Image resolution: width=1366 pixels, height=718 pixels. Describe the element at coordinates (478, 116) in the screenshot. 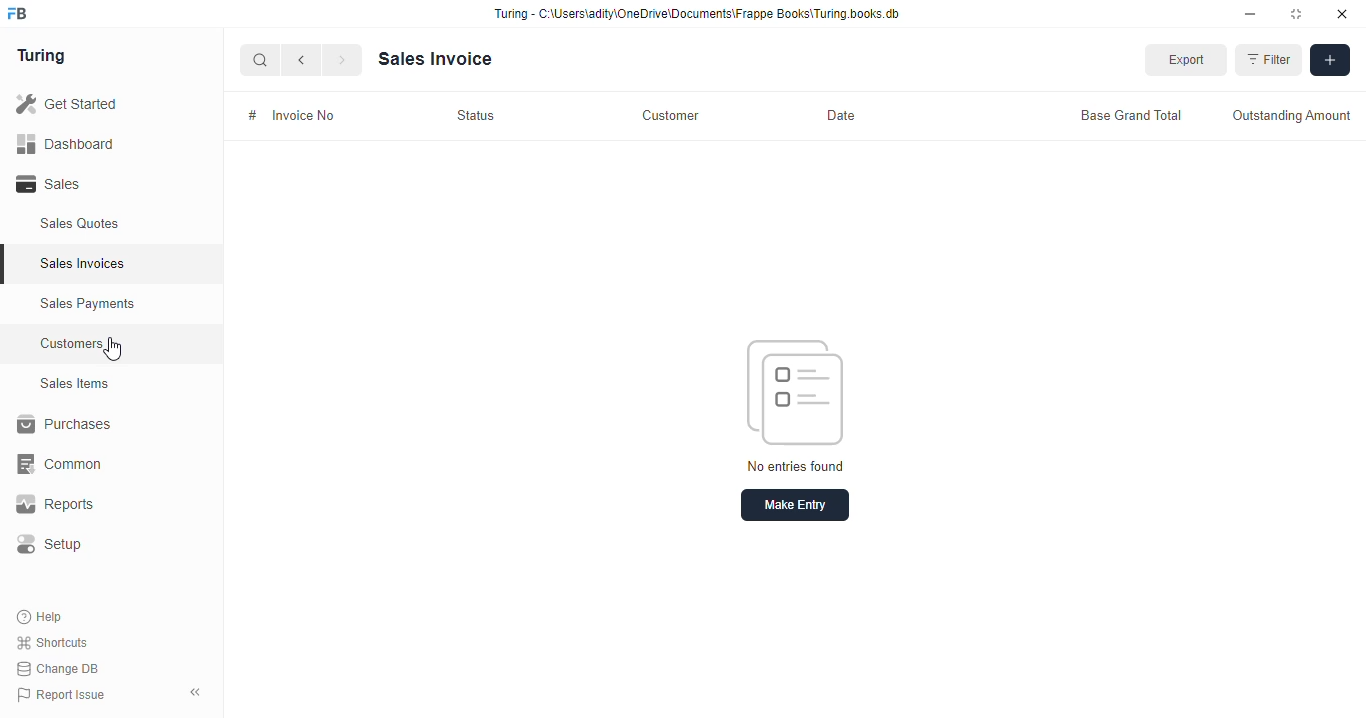

I see `Status` at that location.